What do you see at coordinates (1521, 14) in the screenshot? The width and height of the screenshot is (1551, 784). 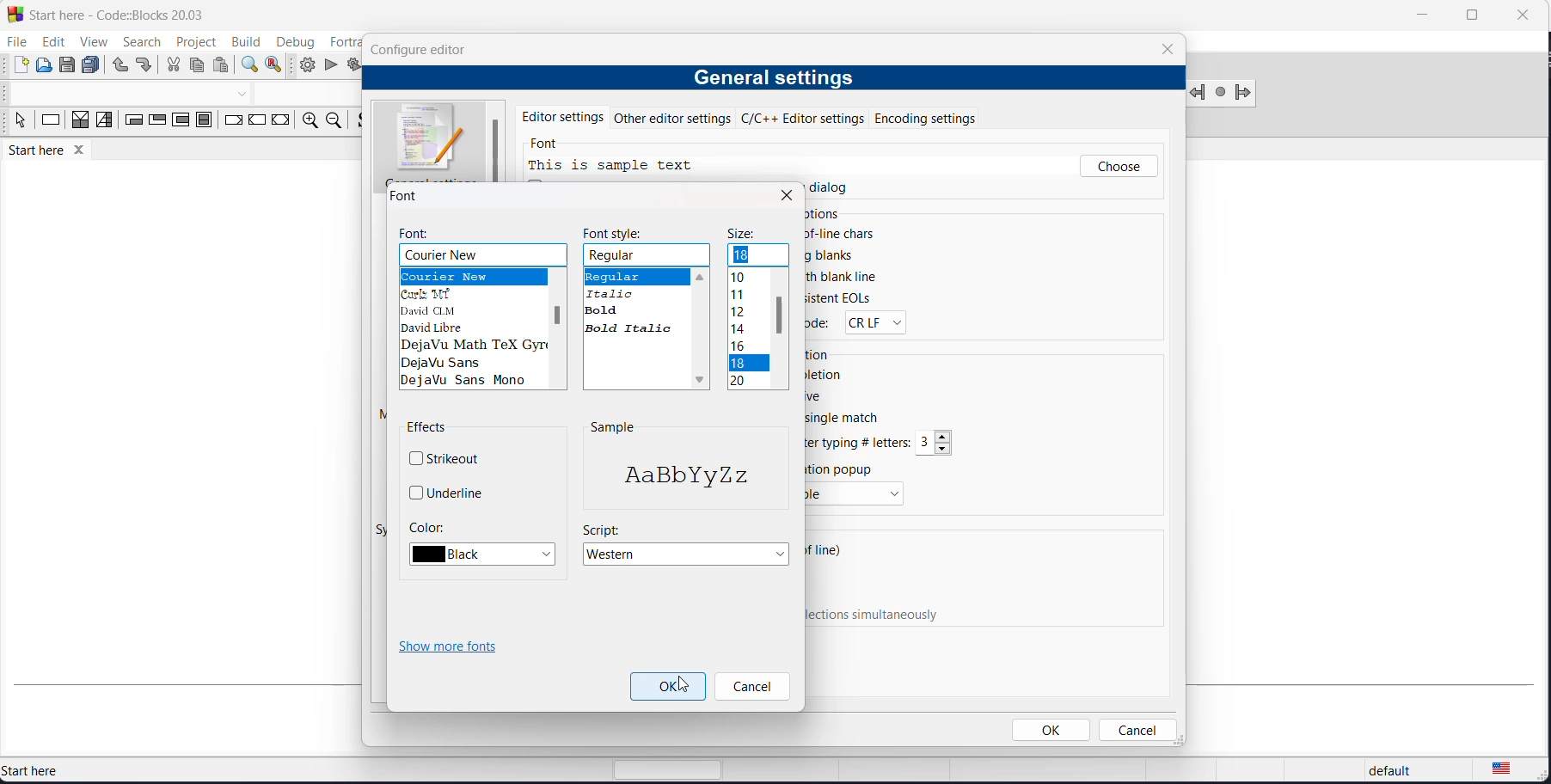 I see `close` at bounding box center [1521, 14].